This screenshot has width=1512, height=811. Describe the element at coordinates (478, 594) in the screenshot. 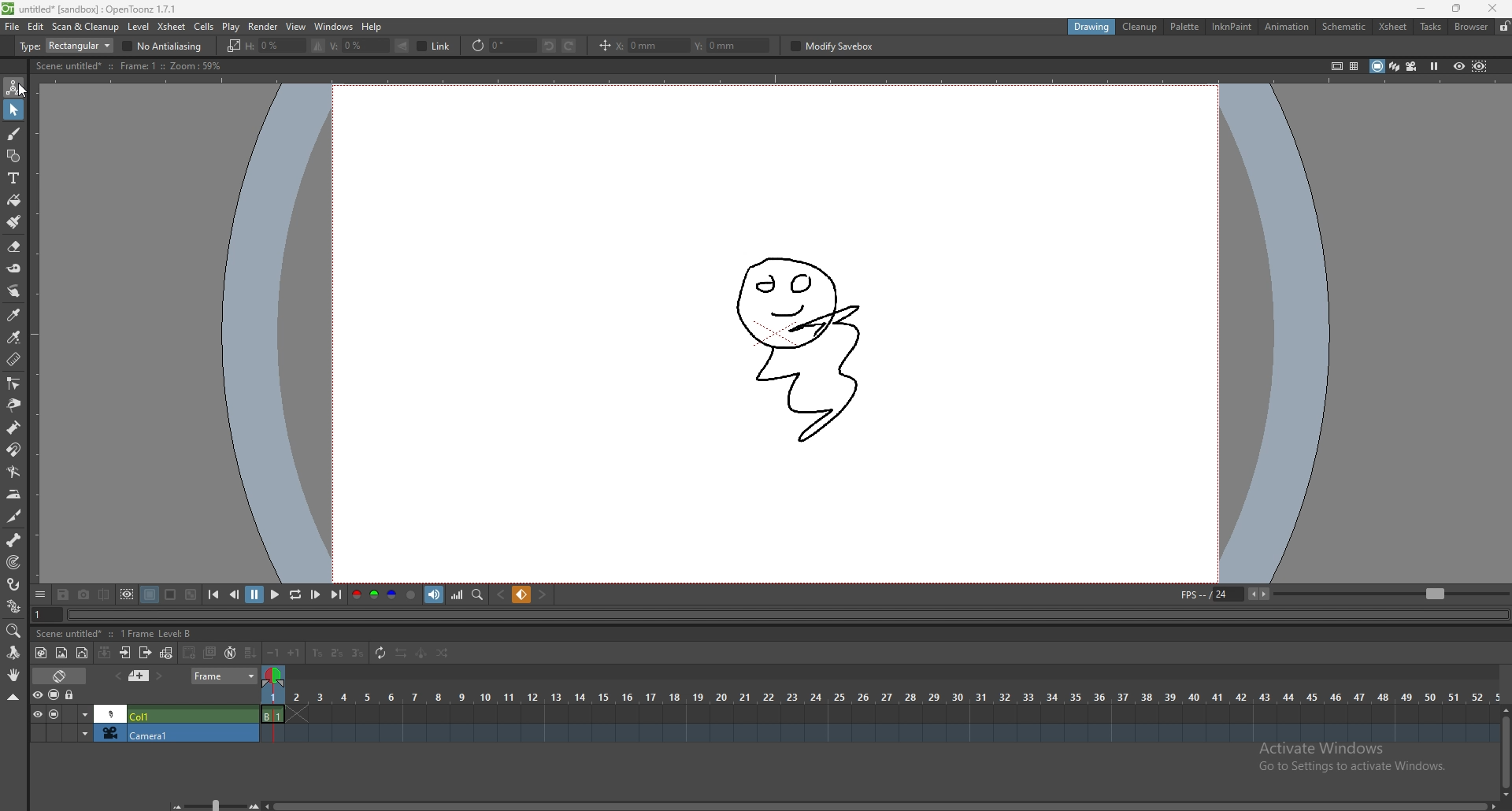

I see `locator` at that location.